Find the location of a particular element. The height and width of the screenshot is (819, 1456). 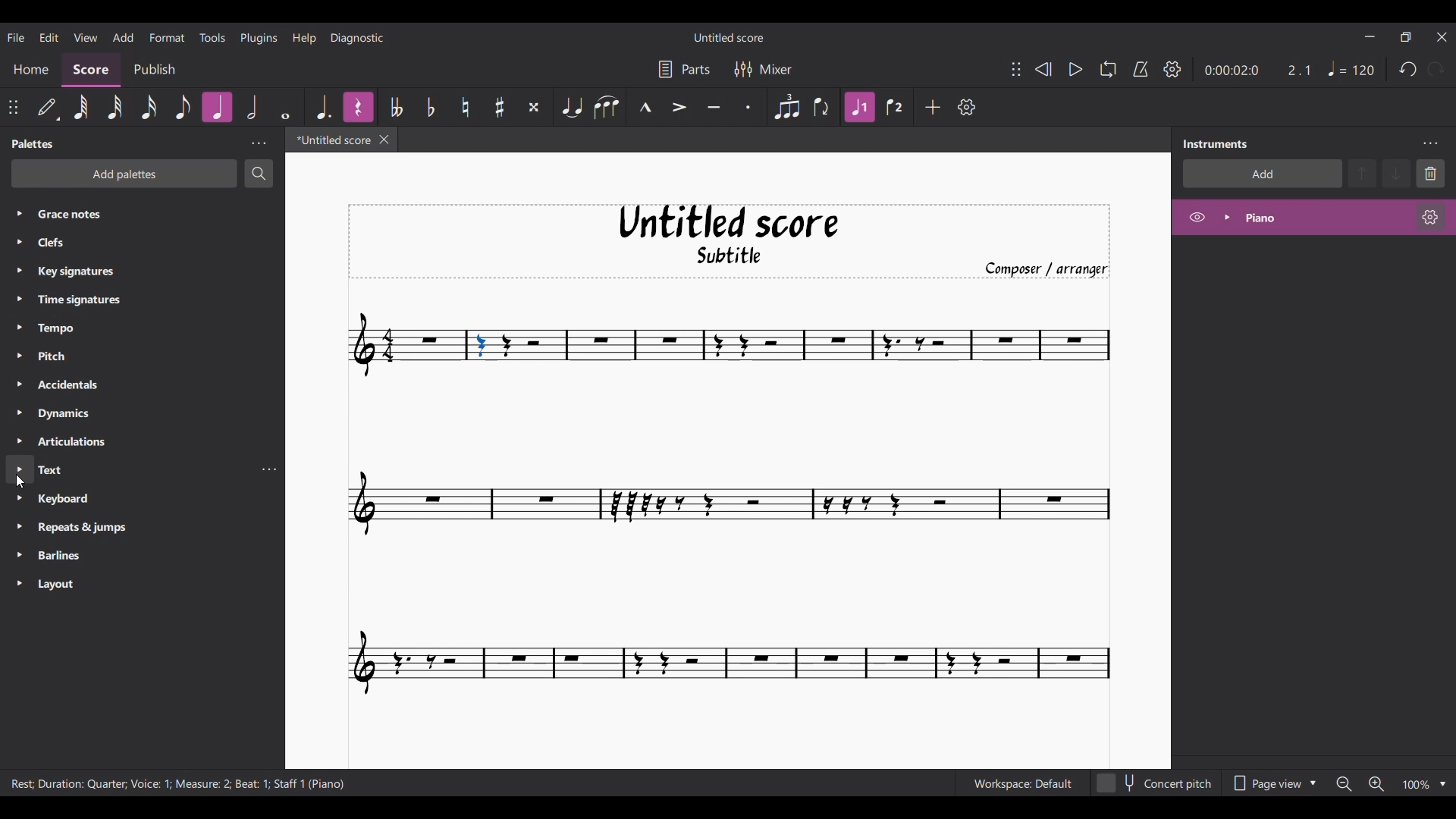

Search is located at coordinates (259, 173).